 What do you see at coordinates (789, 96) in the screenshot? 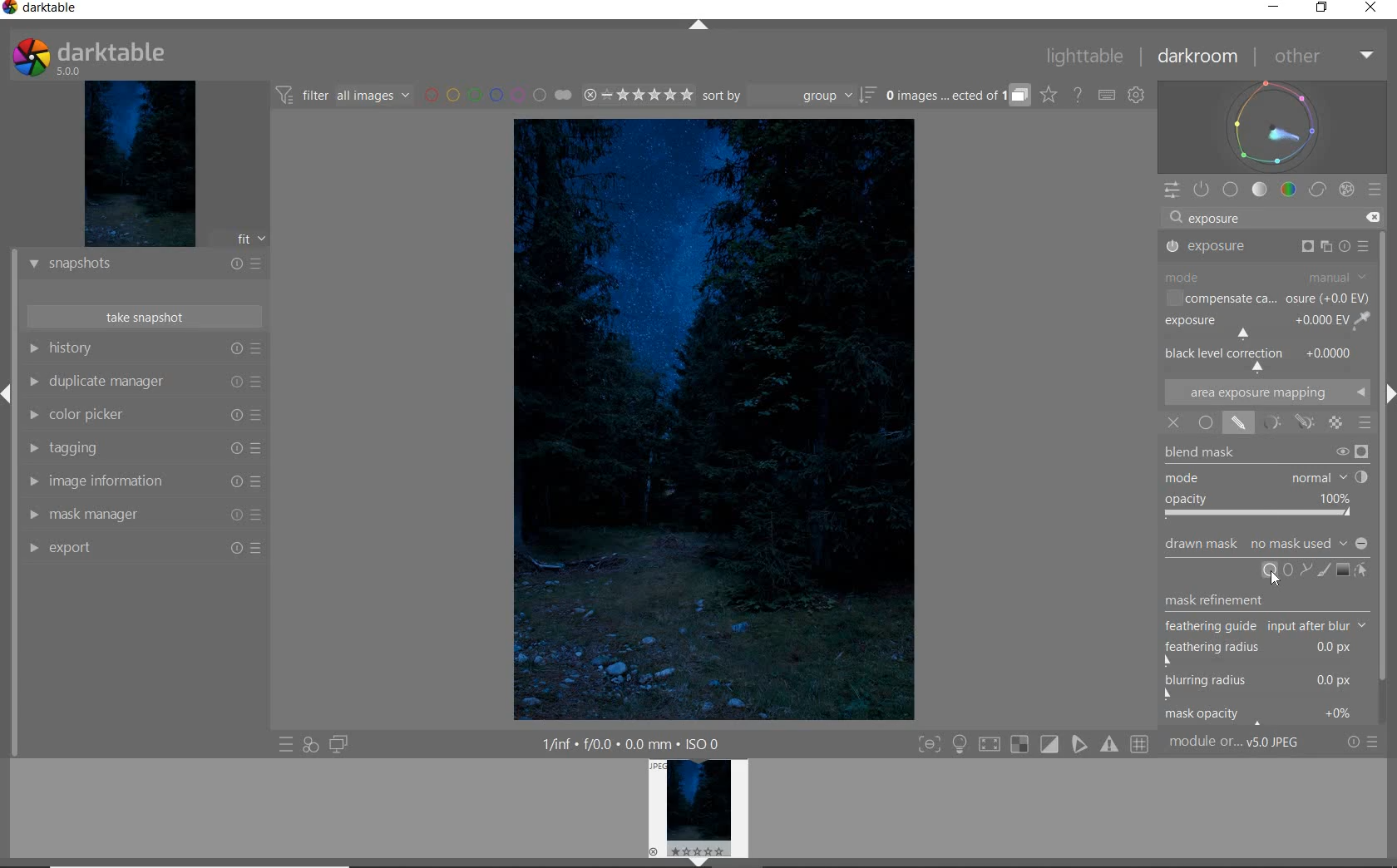
I see `SORT` at bounding box center [789, 96].